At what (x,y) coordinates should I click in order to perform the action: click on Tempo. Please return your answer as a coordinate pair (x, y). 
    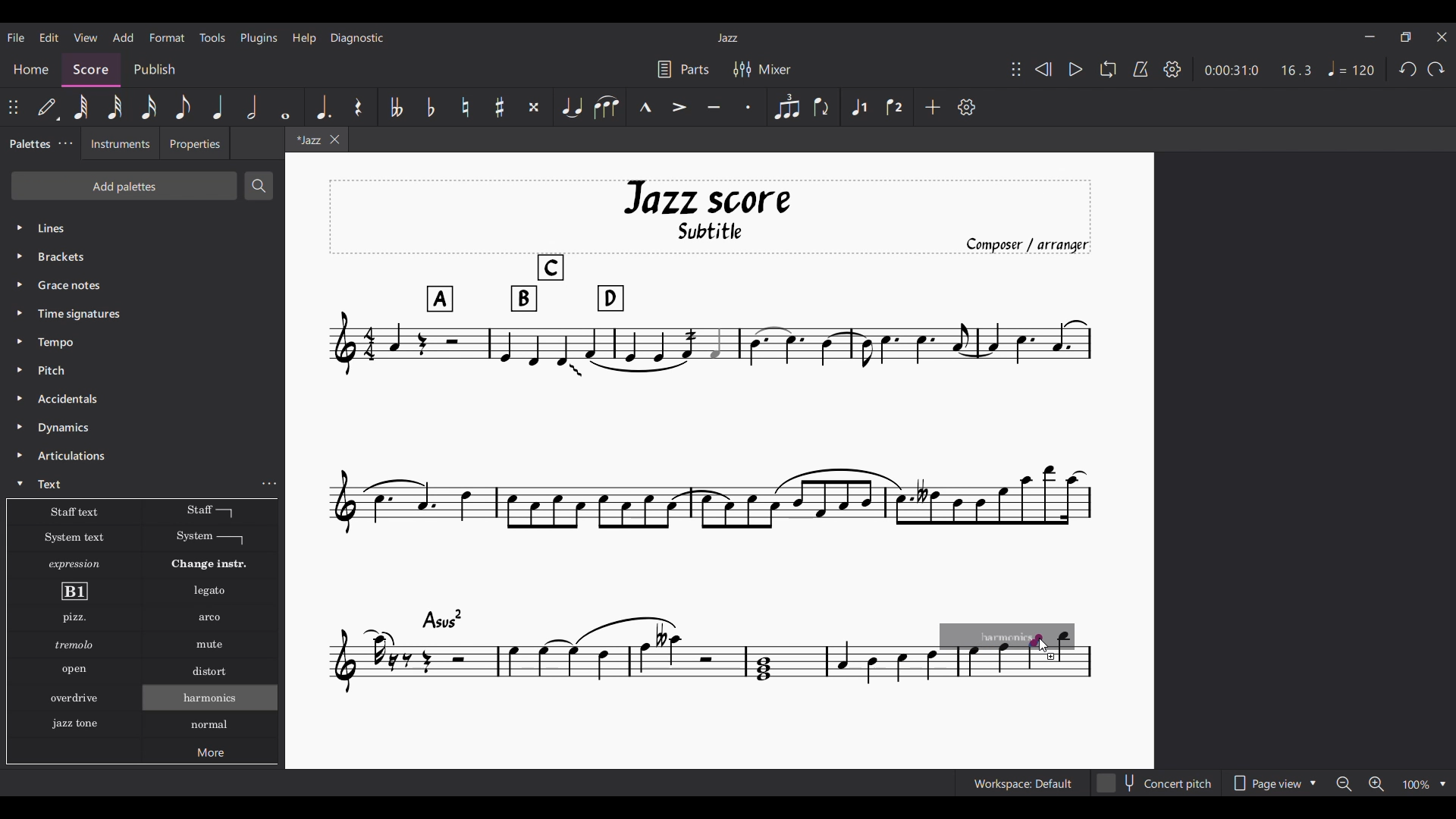
    Looking at the image, I should click on (1351, 68).